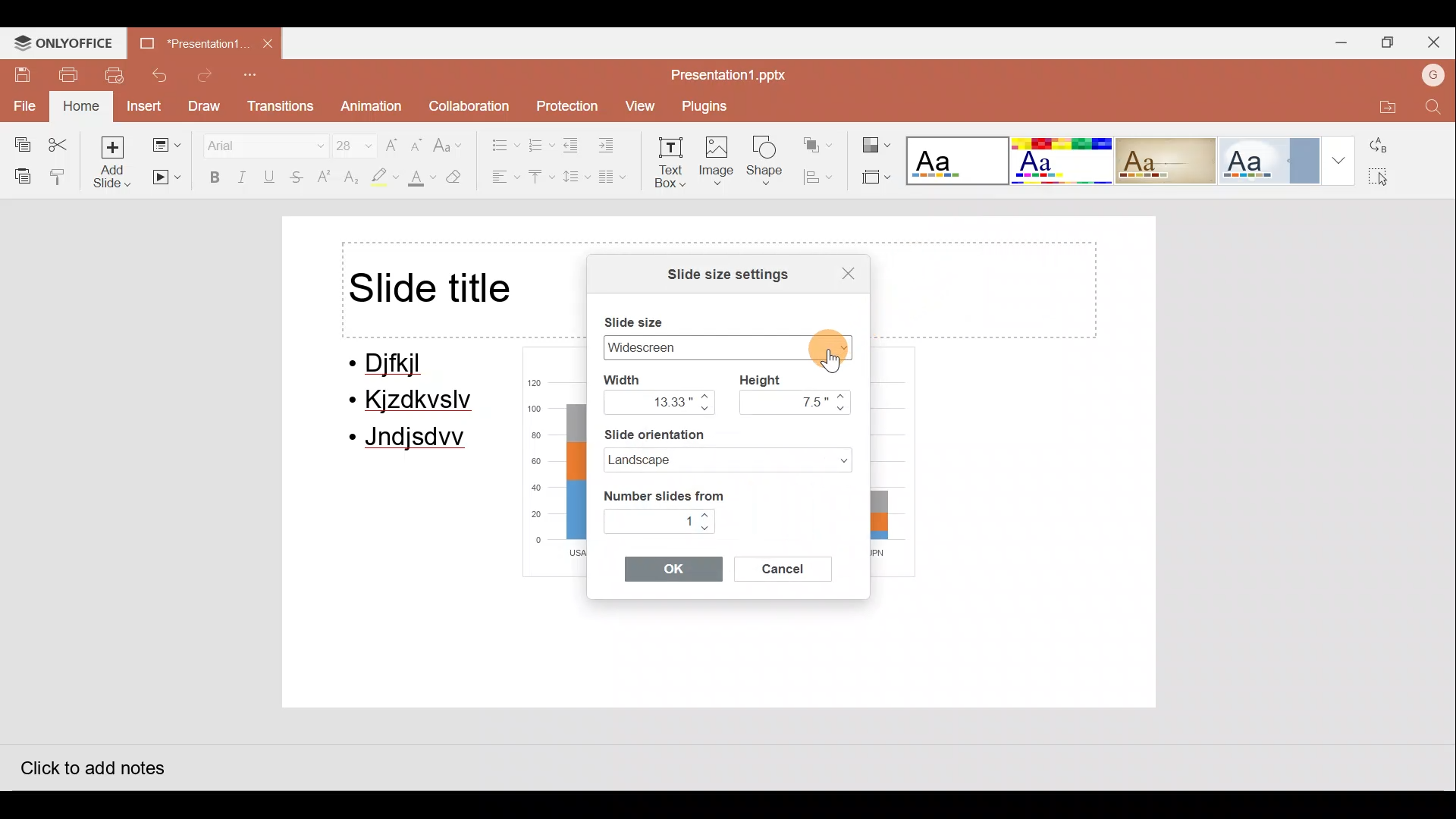  Describe the element at coordinates (618, 180) in the screenshot. I see `Columns` at that location.